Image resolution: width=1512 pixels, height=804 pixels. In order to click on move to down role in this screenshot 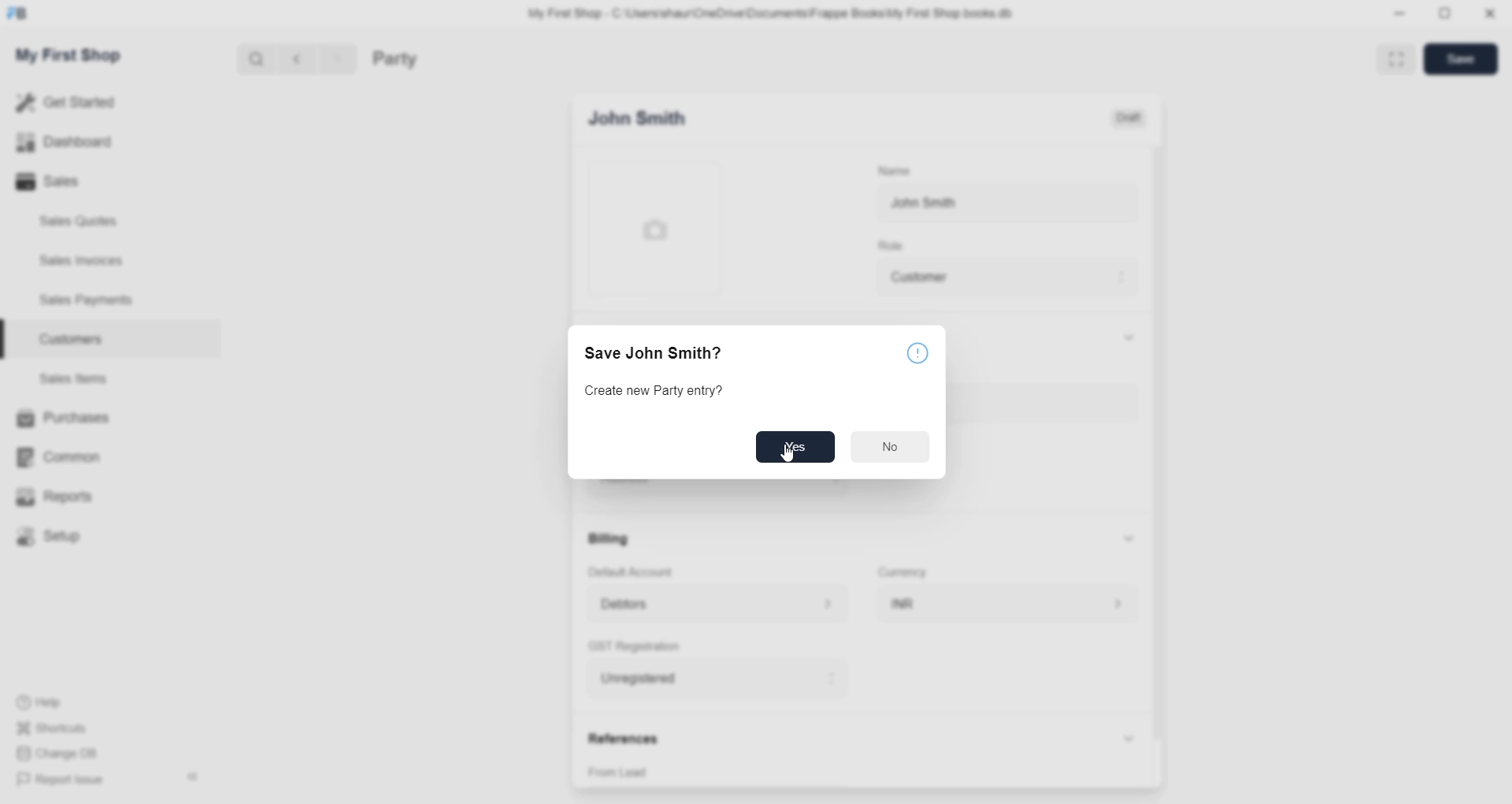, I will do `click(1124, 287)`.